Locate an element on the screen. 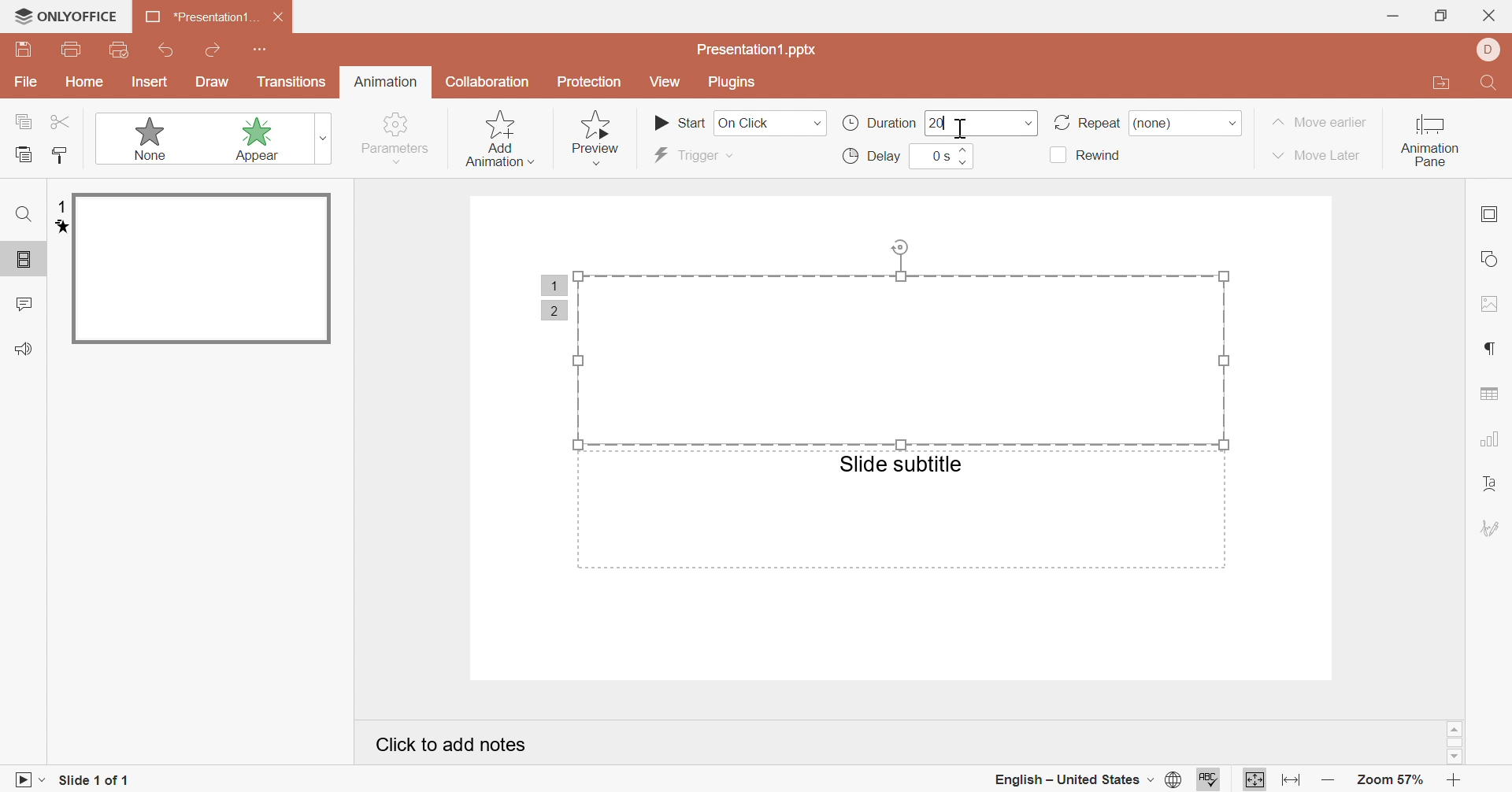 The image size is (1512, 792). none is located at coordinates (1163, 123).